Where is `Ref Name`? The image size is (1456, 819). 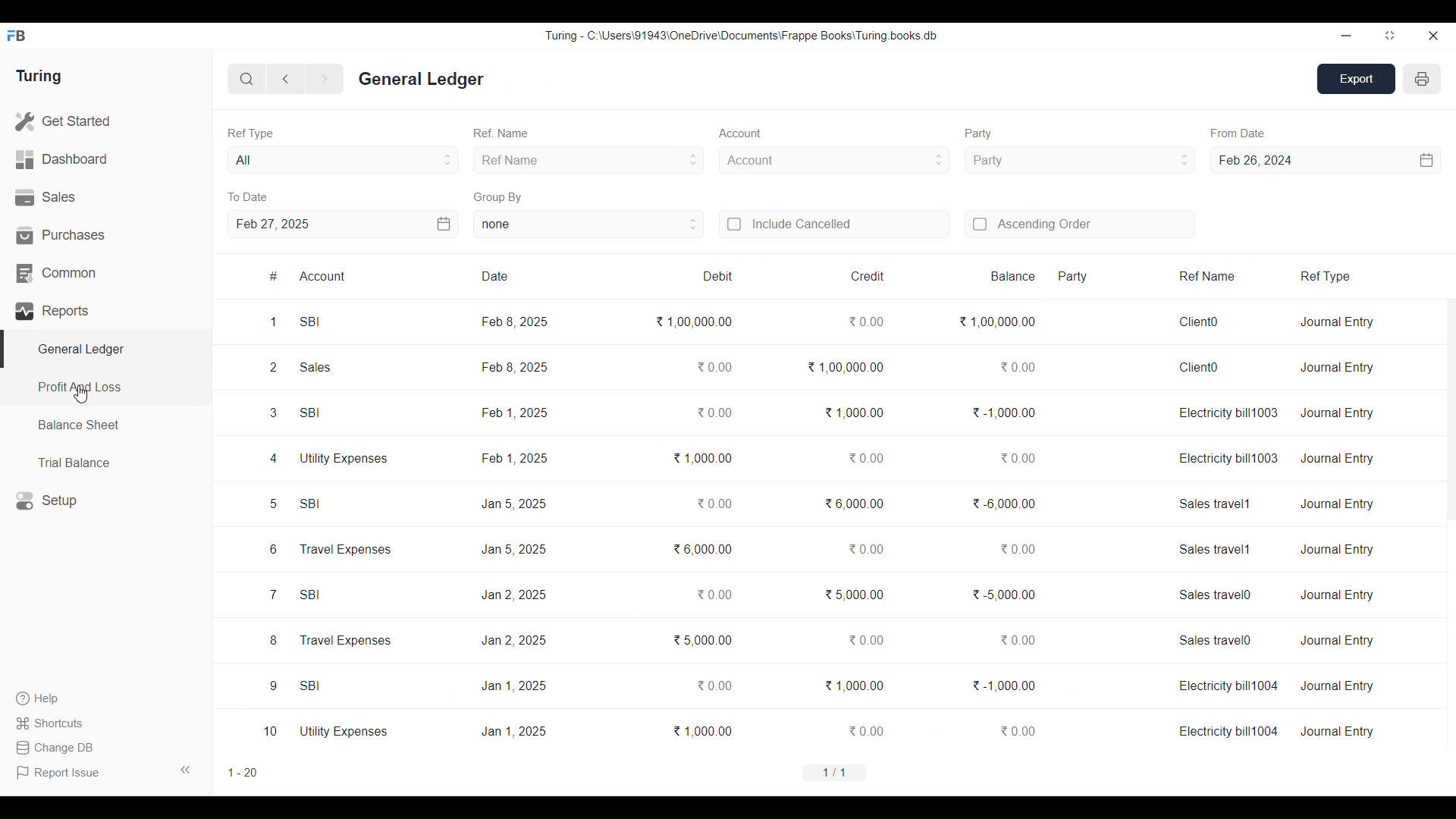
Ref Name is located at coordinates (1230, 277).